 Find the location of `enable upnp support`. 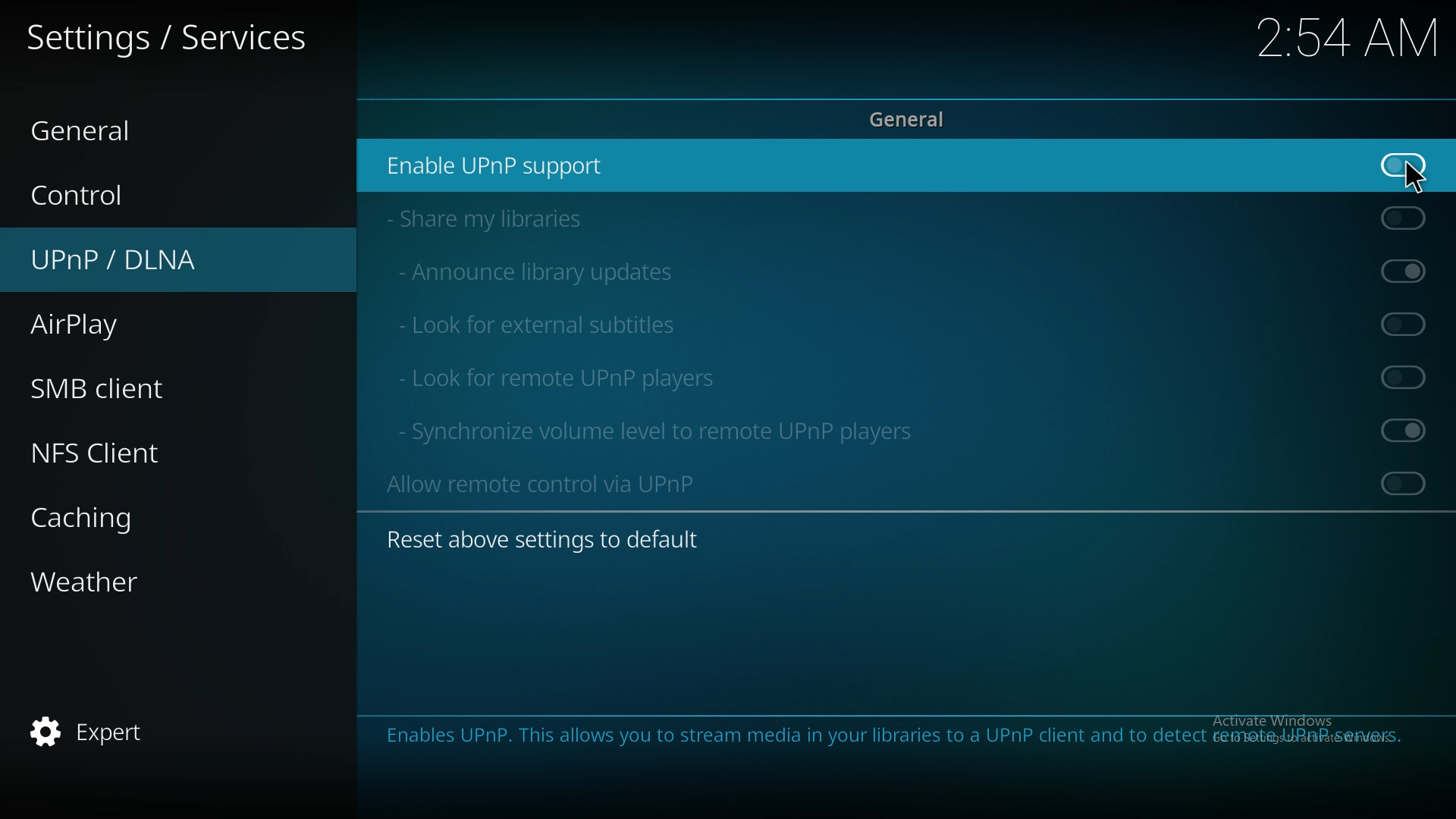

enable upnp support is located at coordinates (510, 165).